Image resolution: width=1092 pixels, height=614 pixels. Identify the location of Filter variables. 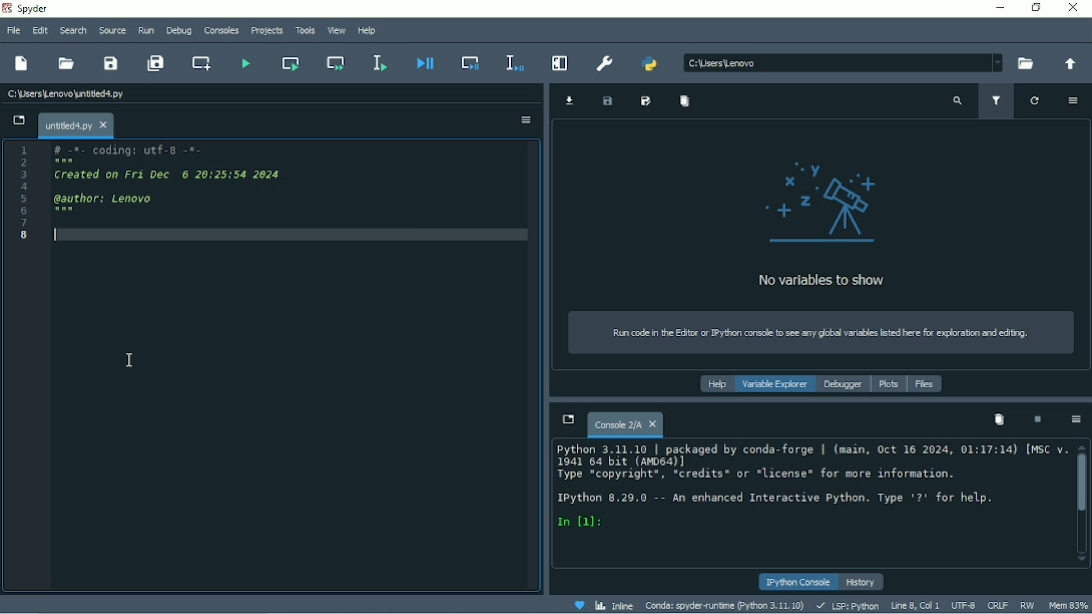
(996, 103).